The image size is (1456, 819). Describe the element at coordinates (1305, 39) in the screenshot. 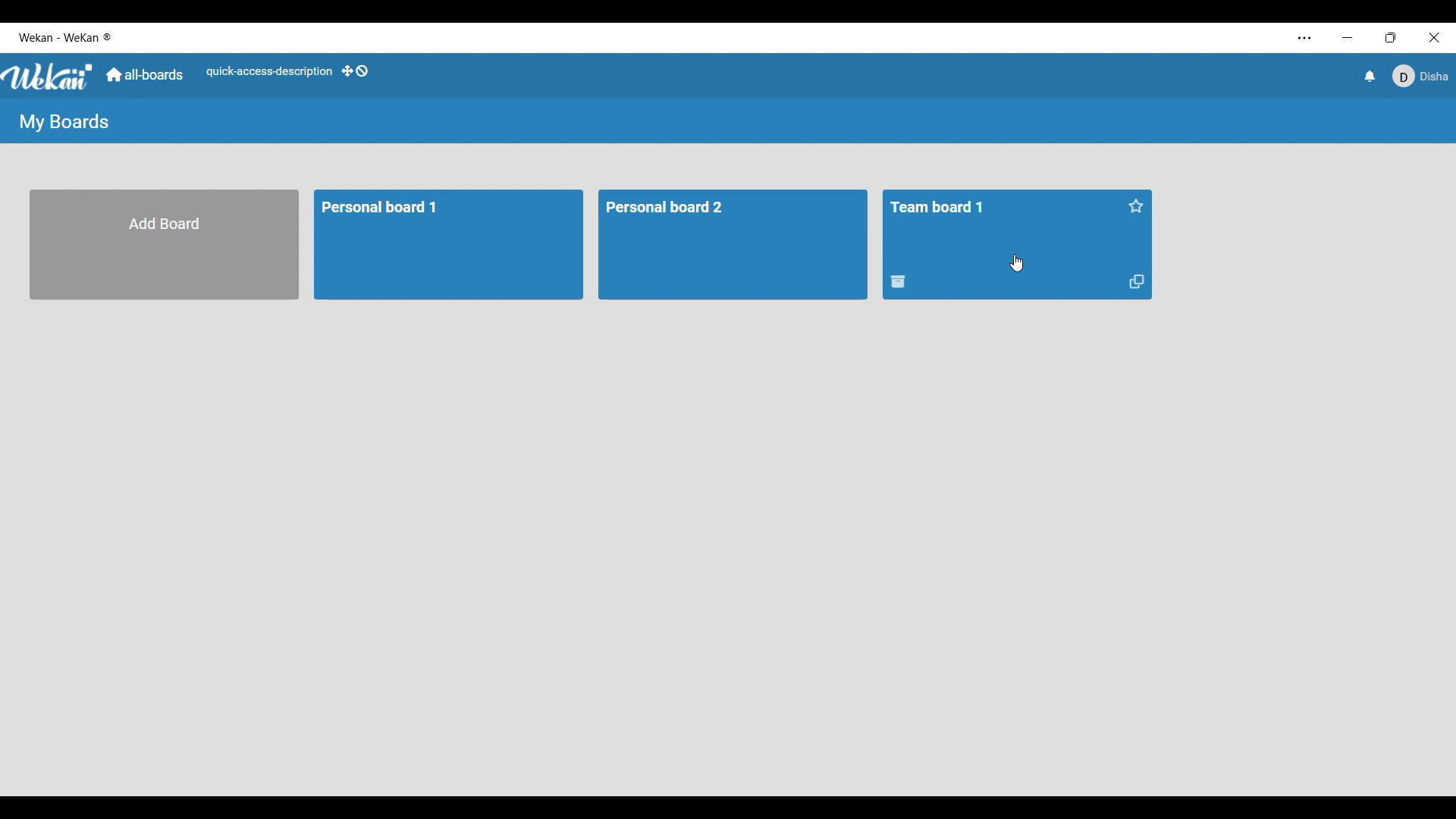

I see `More settings` at that location.